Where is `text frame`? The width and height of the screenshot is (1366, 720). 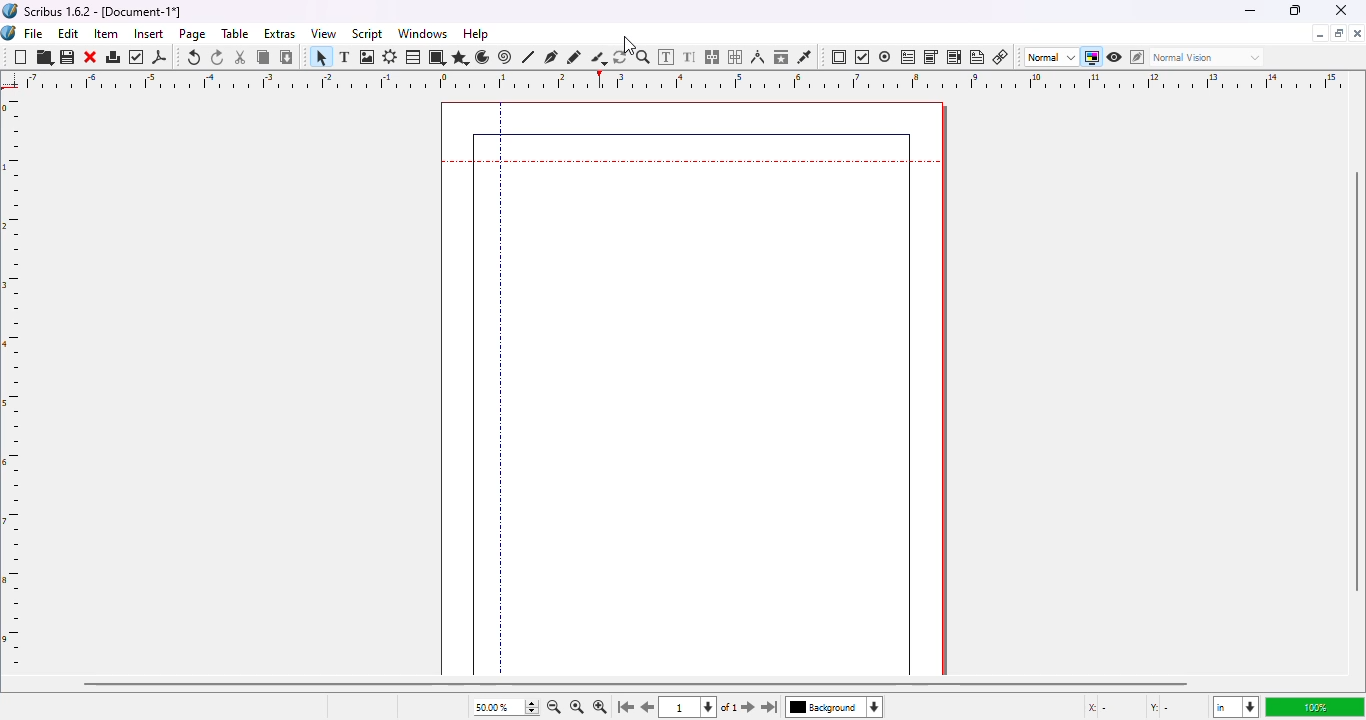
text frame is located at coordinates (344, 57).